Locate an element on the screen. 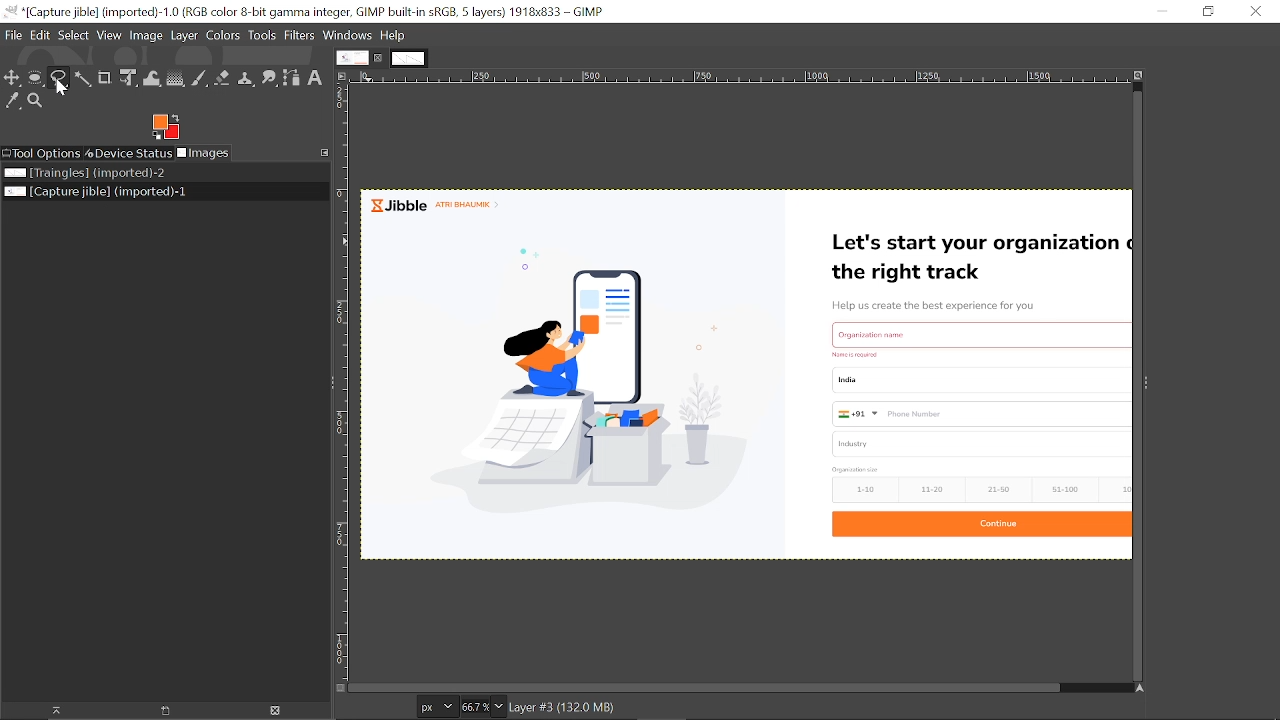 The height and width of the screenshot is (720, 1280). Edit is located at coordinates (41, 35).